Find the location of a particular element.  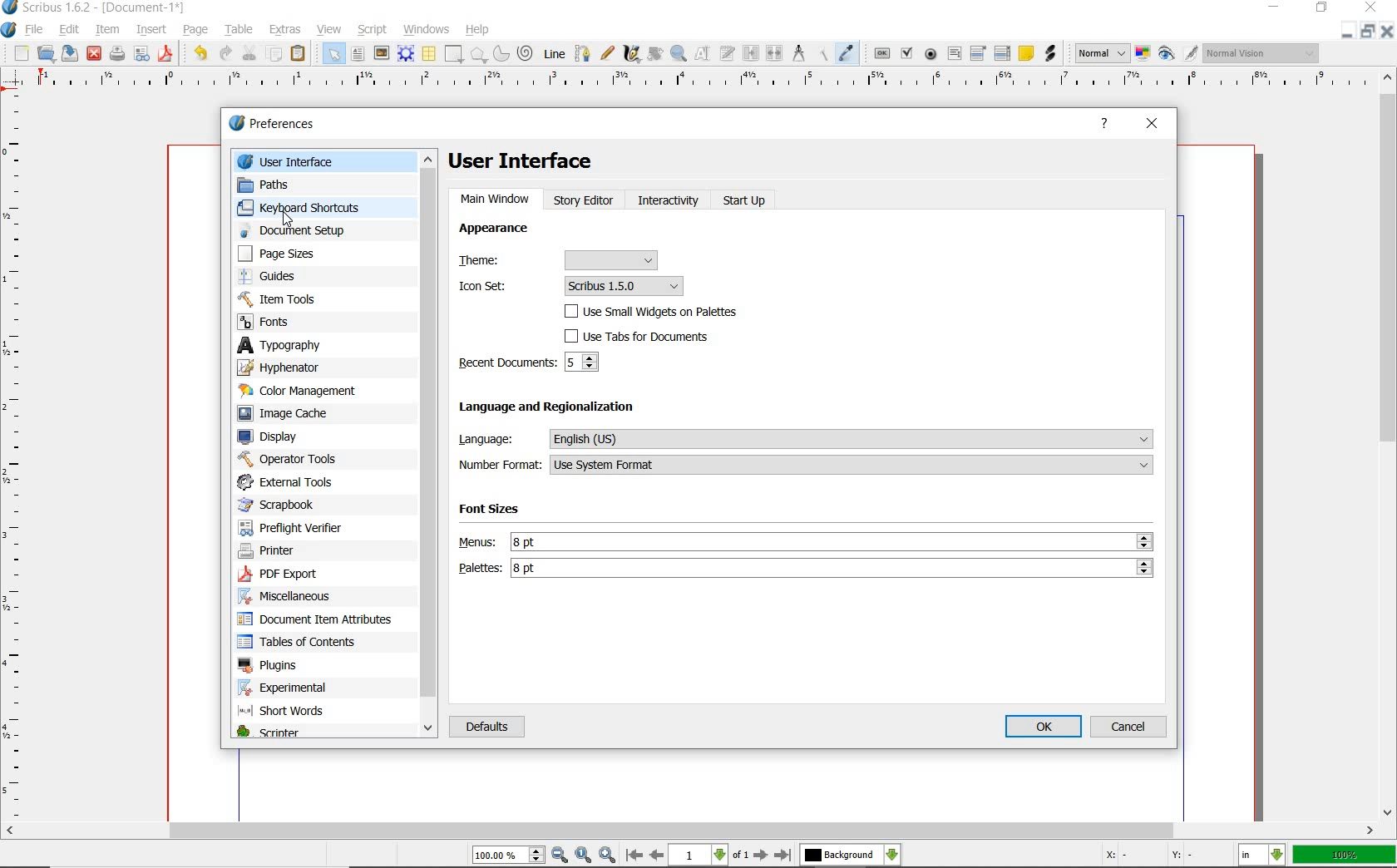

document setup is located at coordinates (304, 230).